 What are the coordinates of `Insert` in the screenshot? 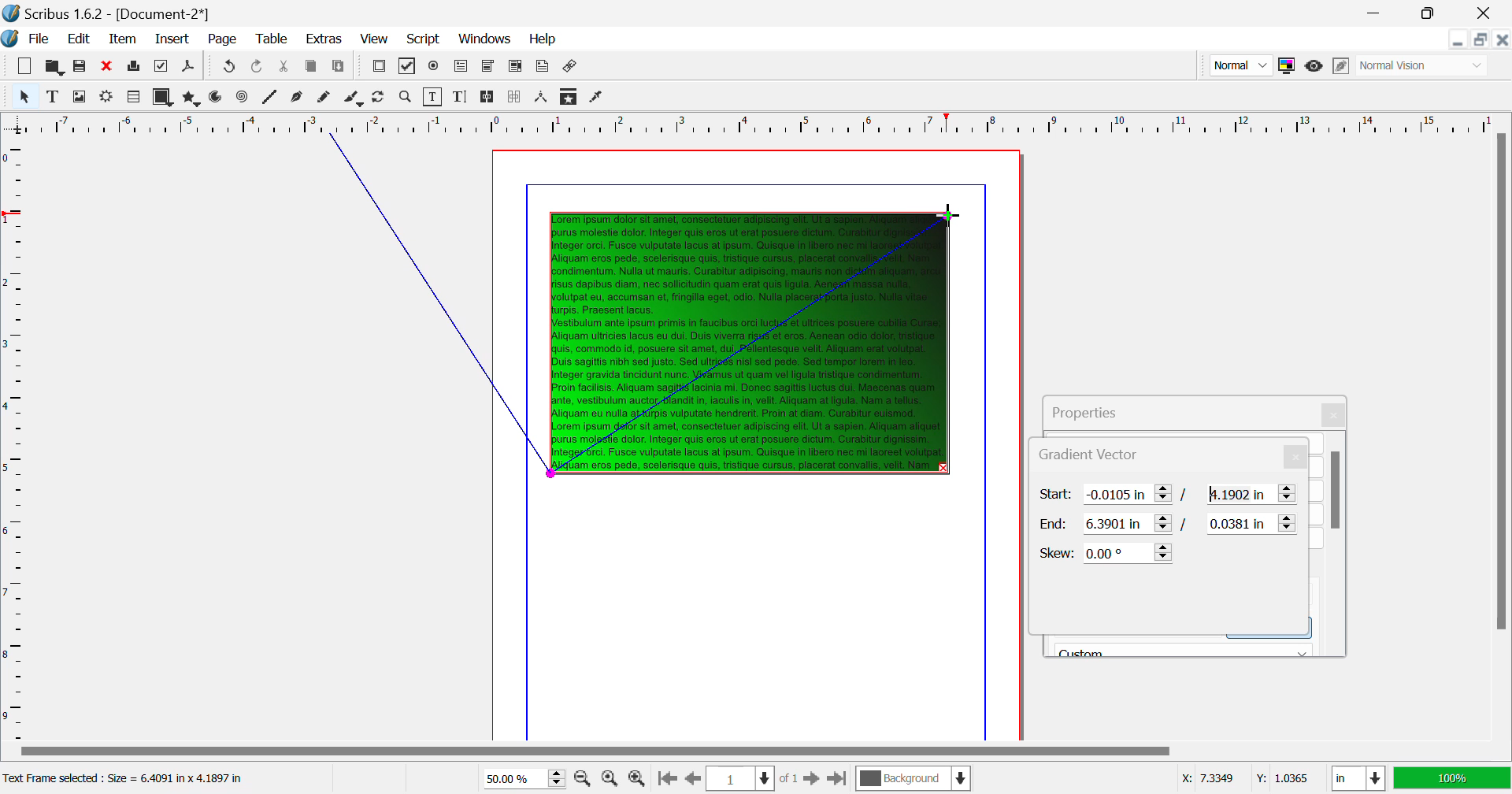 It's located at (173, 40).